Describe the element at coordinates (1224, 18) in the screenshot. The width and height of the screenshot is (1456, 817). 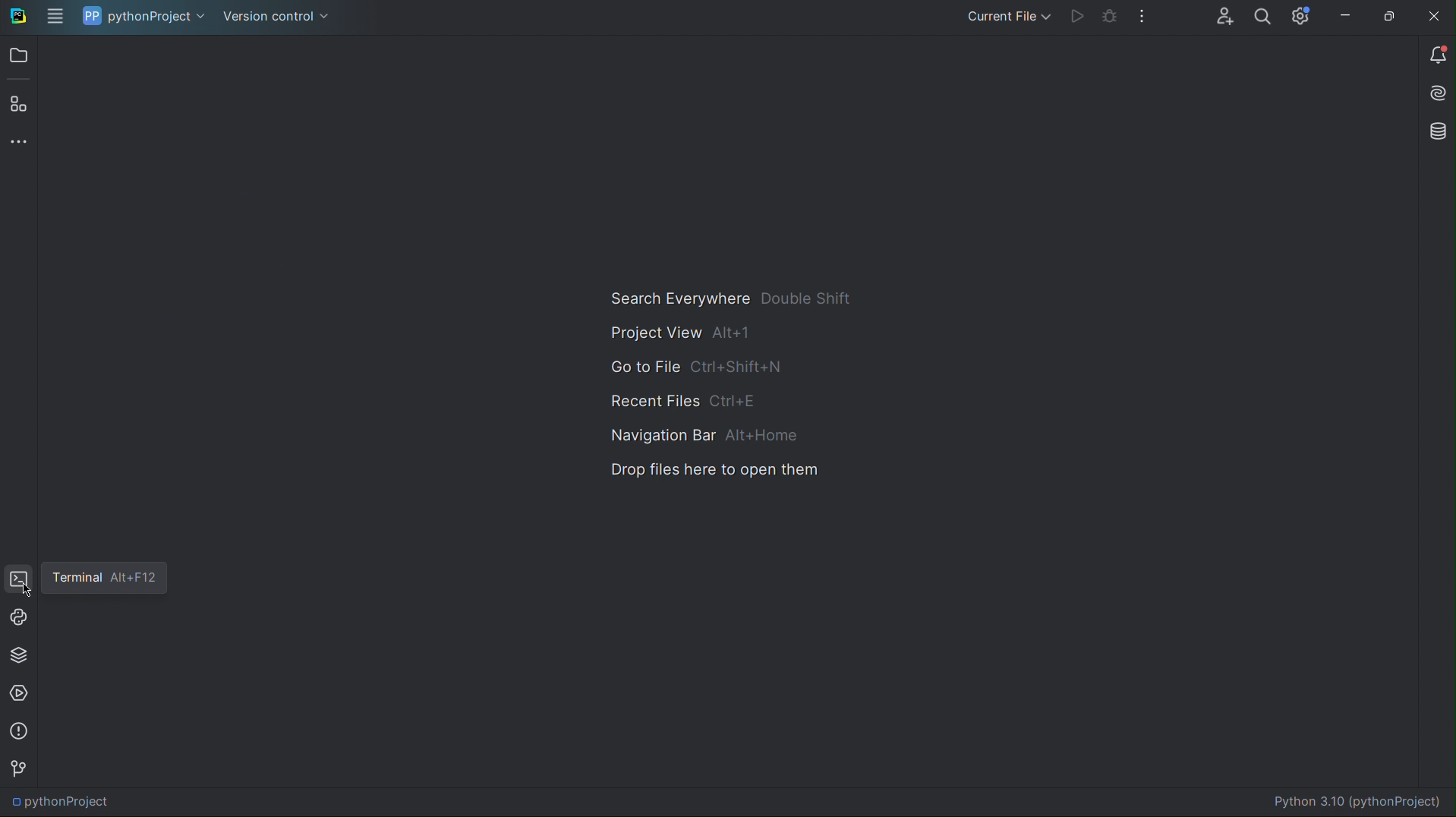
I see `Account` at that location.